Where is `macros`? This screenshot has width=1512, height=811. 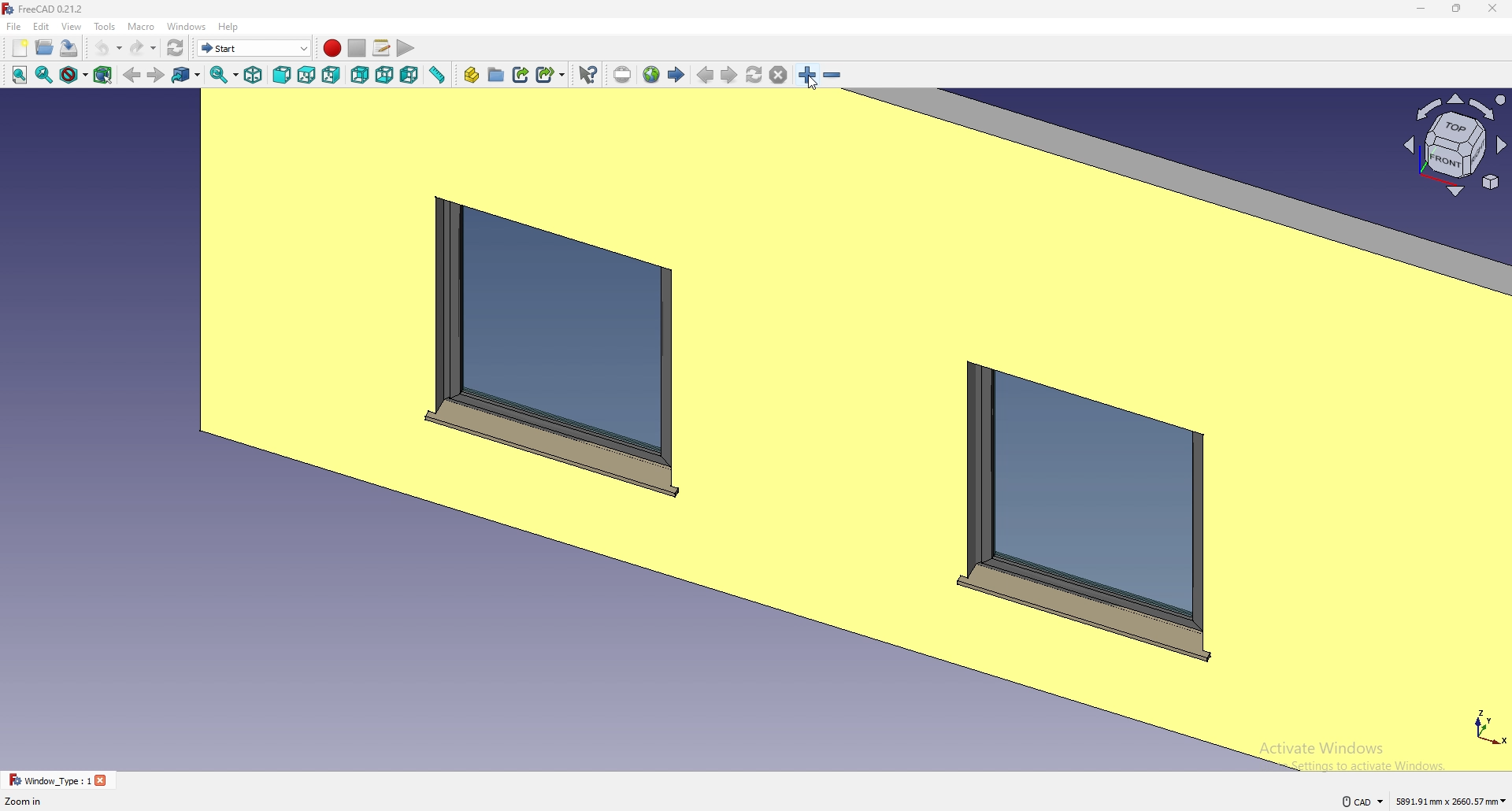
macros is located at coordinates (382, 46).